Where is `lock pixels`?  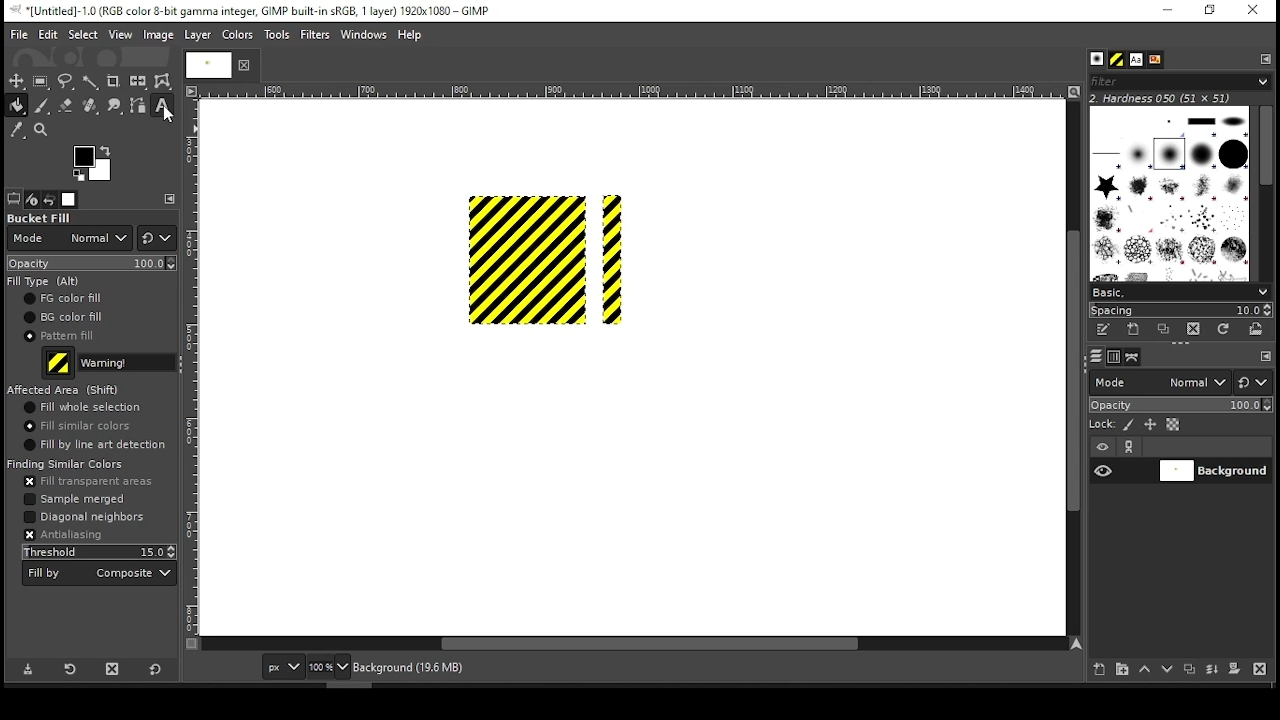 lock pixels is located at coordinates (1132, 425).